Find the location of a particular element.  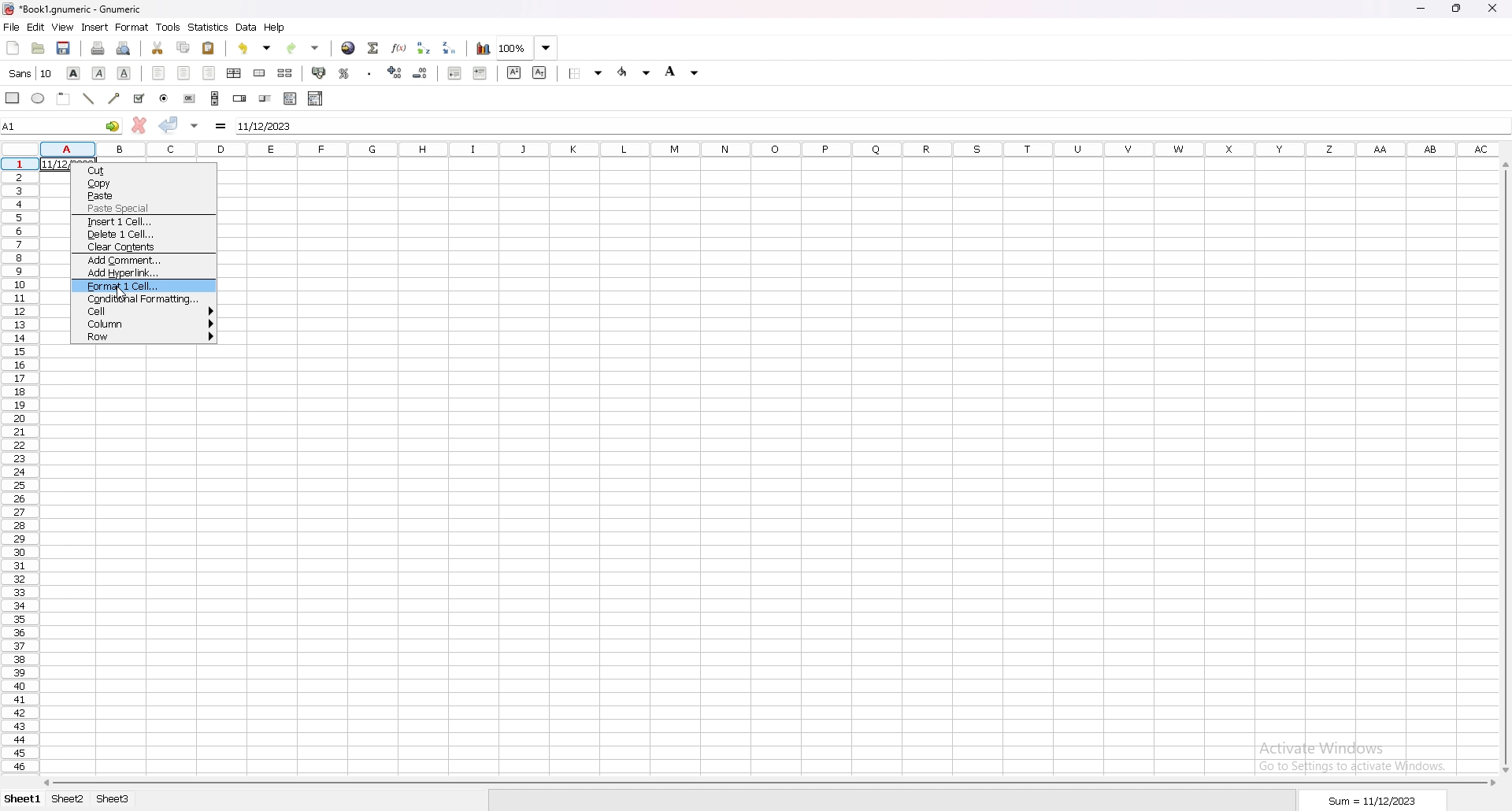

paste special is located at coordinates (145, 209).